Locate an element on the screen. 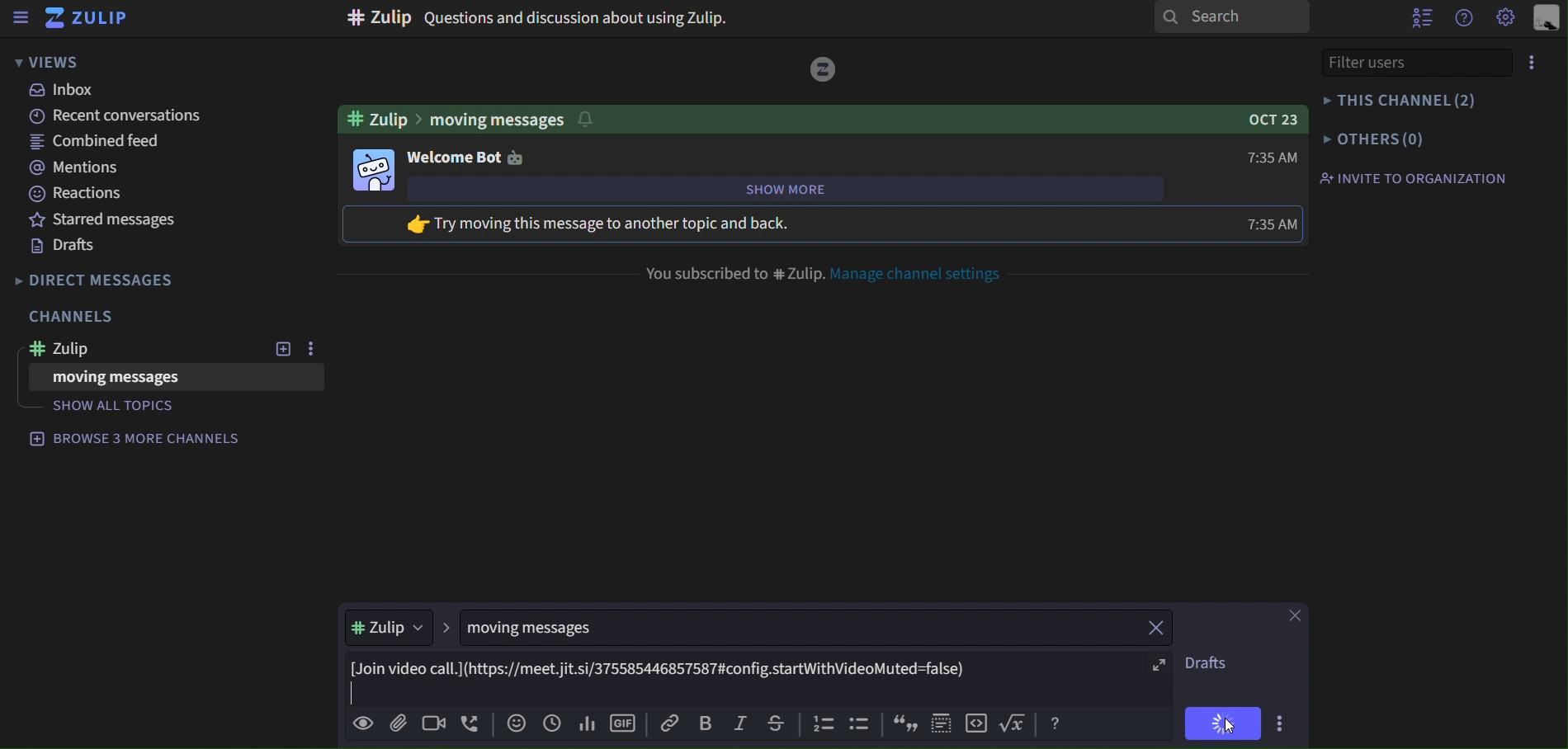 The image size is (1568, 749). expand fullscreen is located at coordinates (1159, 663).